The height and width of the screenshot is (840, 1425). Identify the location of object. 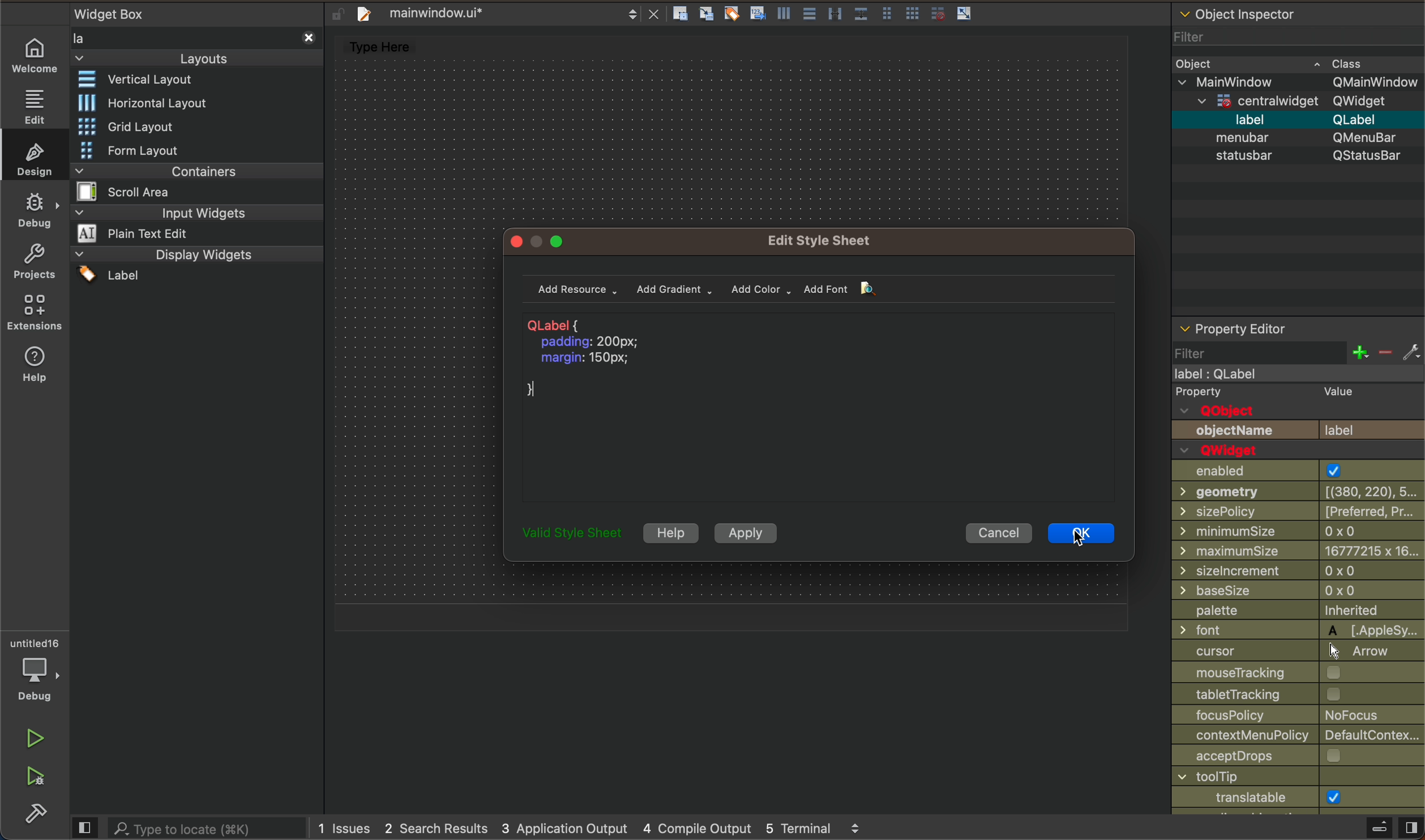
(1274, 63).